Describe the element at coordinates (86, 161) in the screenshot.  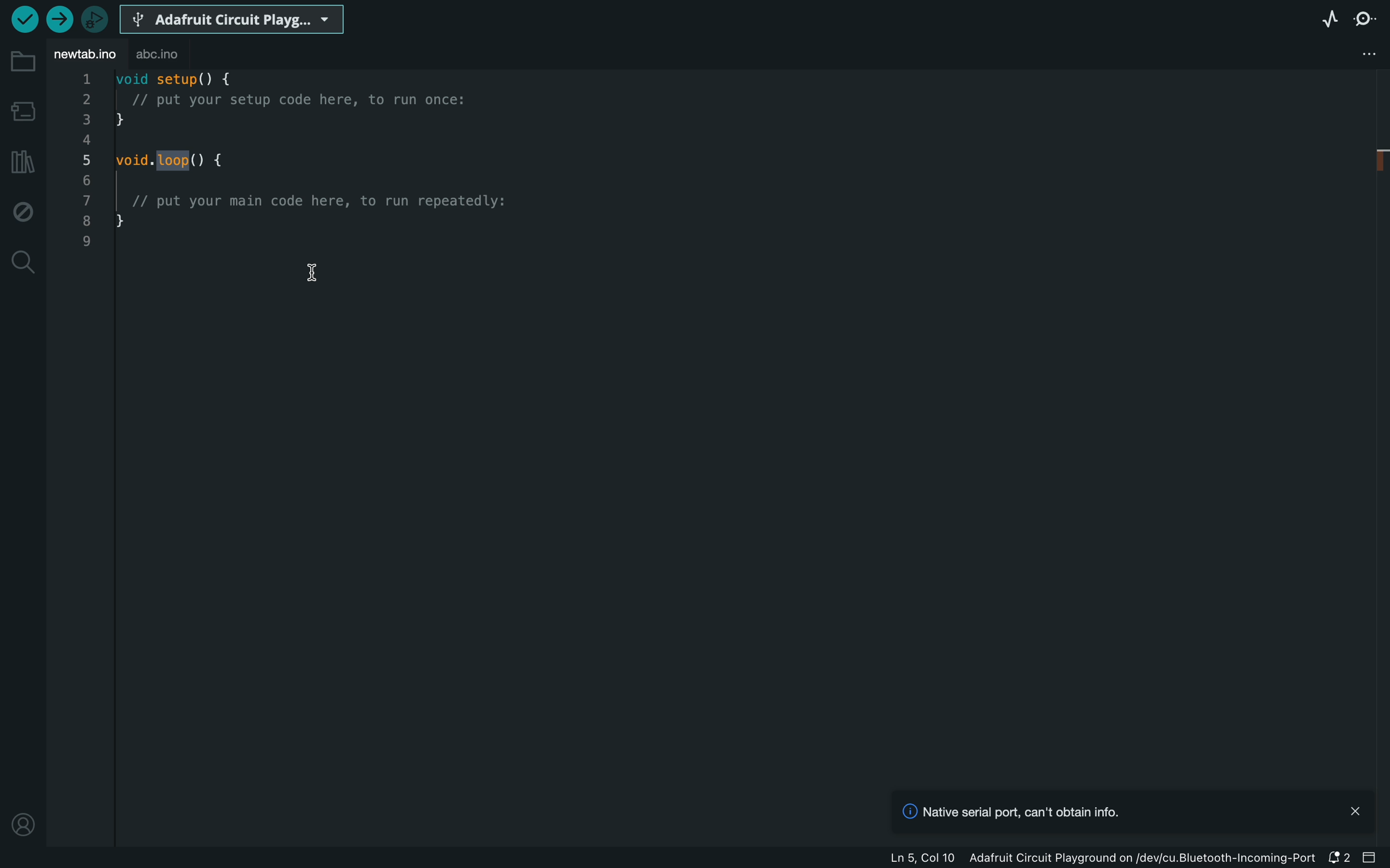
I see `line numbers` at that location.